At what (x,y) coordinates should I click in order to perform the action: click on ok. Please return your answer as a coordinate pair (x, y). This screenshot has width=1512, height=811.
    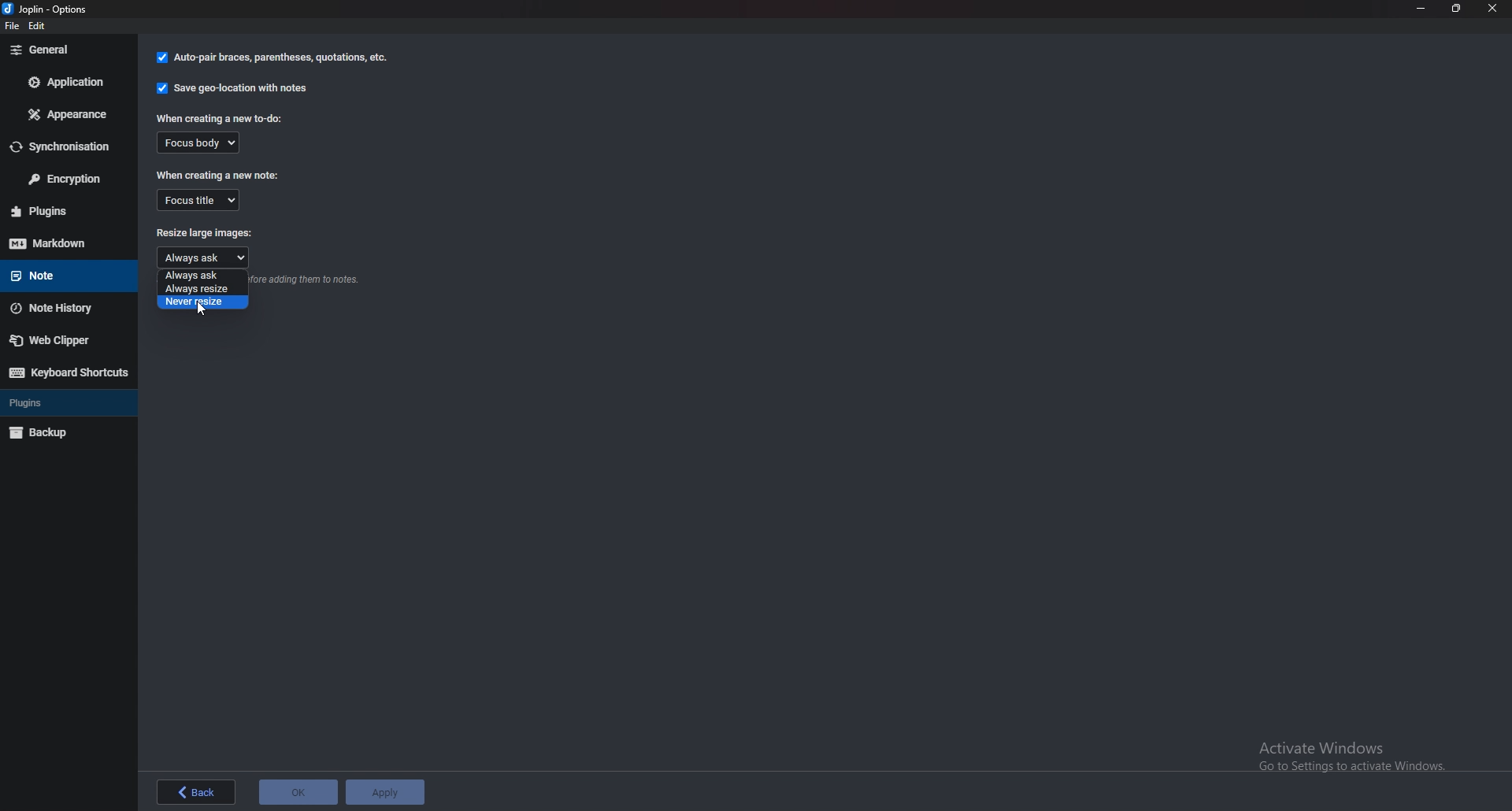
    Looking at the image, I should click on (298, 791).